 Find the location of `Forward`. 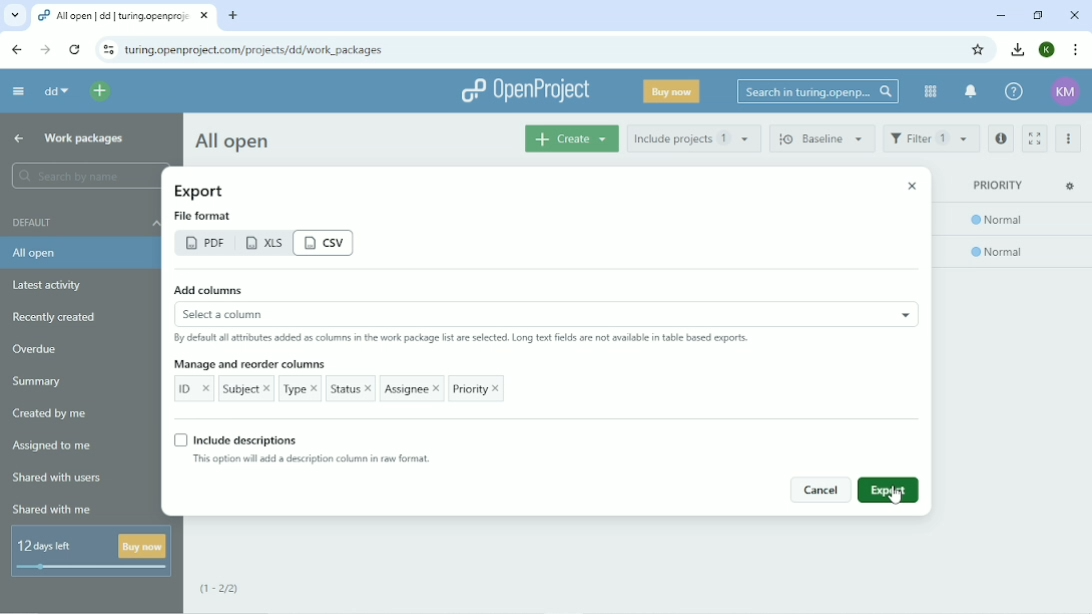

Forward is located at coordinates (42, 49).